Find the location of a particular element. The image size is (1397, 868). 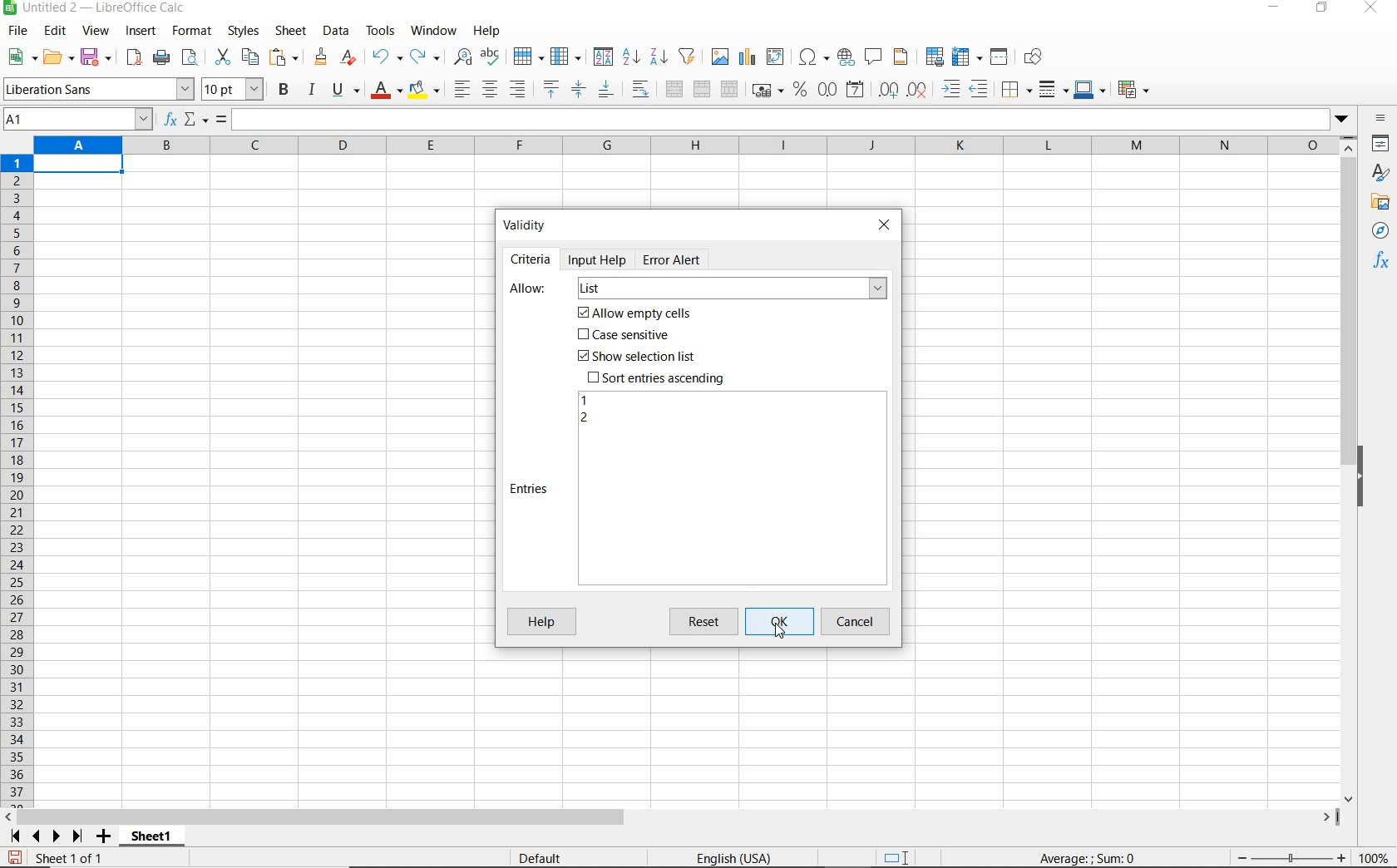

define print area is located at coordinates (933, 57).